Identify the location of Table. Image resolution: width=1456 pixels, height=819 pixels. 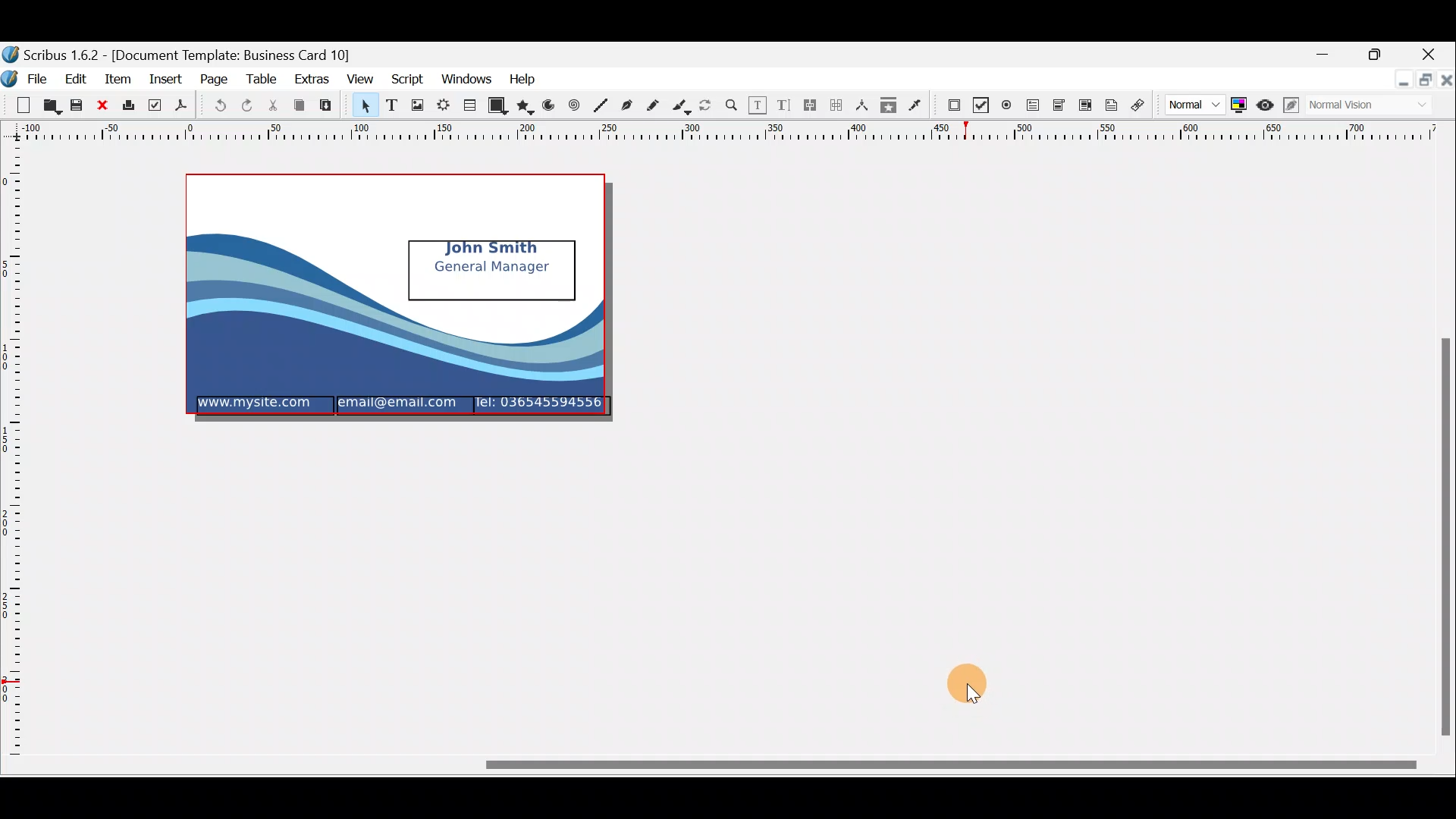
(265, 78).